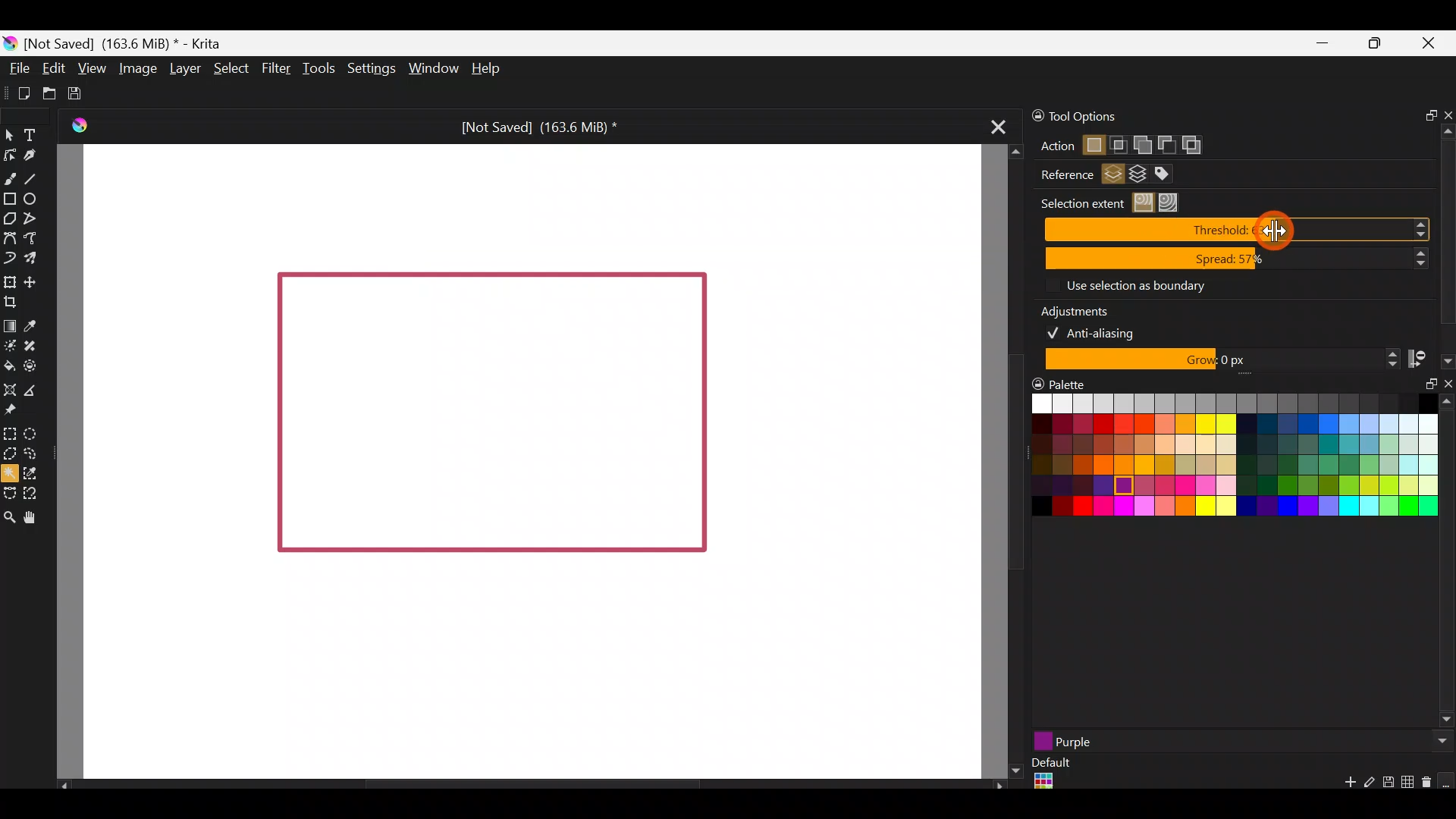 The height and width of the screenshot is (819, 1456). Describe the element at coordinates (1080, 203) in the screenshot. I see `Selection extent` at that location.